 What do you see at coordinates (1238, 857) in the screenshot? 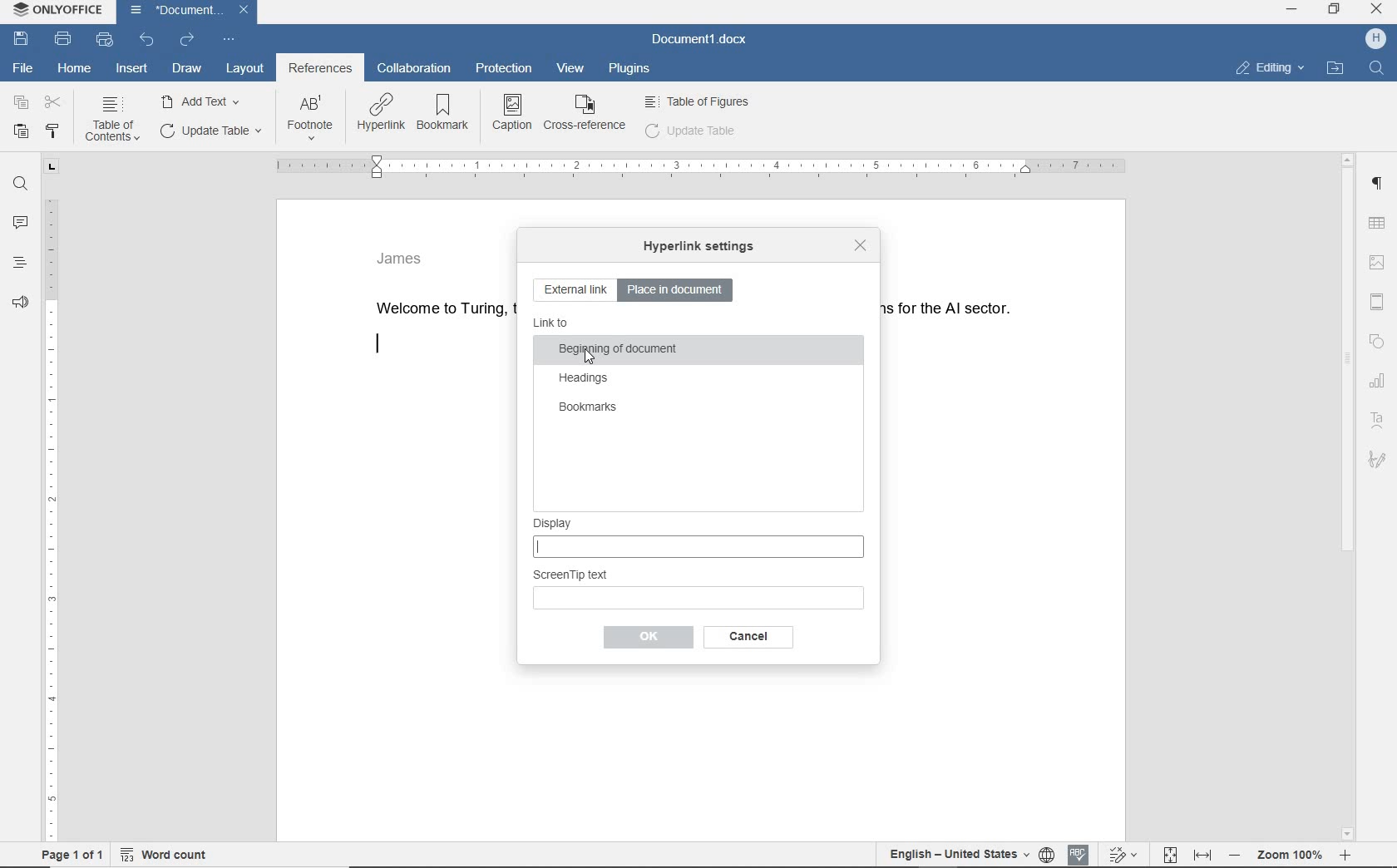
I see `zoom out` at bounding box center [1238, 857].